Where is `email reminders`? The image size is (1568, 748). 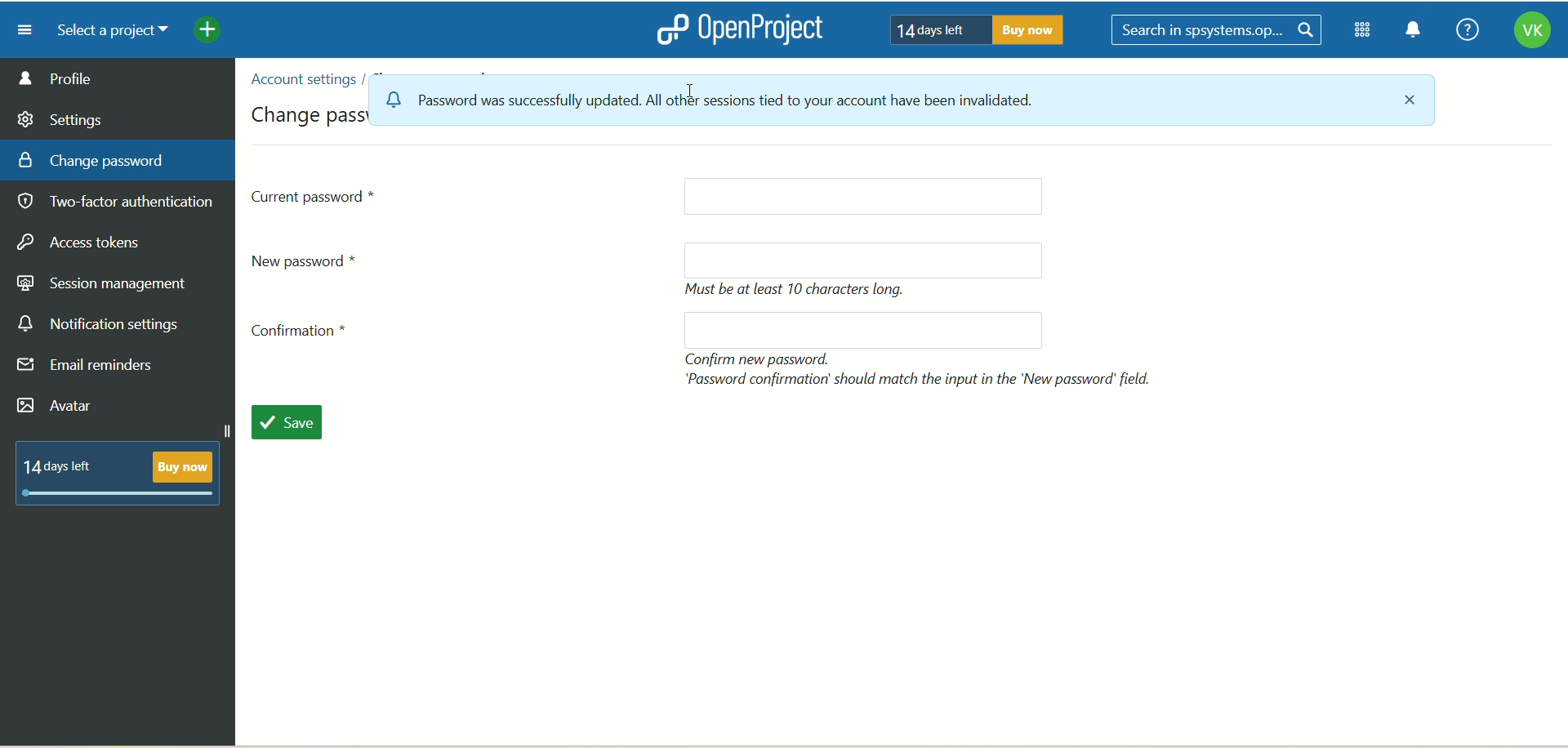 email reminders is located at coordinates (90, 368).